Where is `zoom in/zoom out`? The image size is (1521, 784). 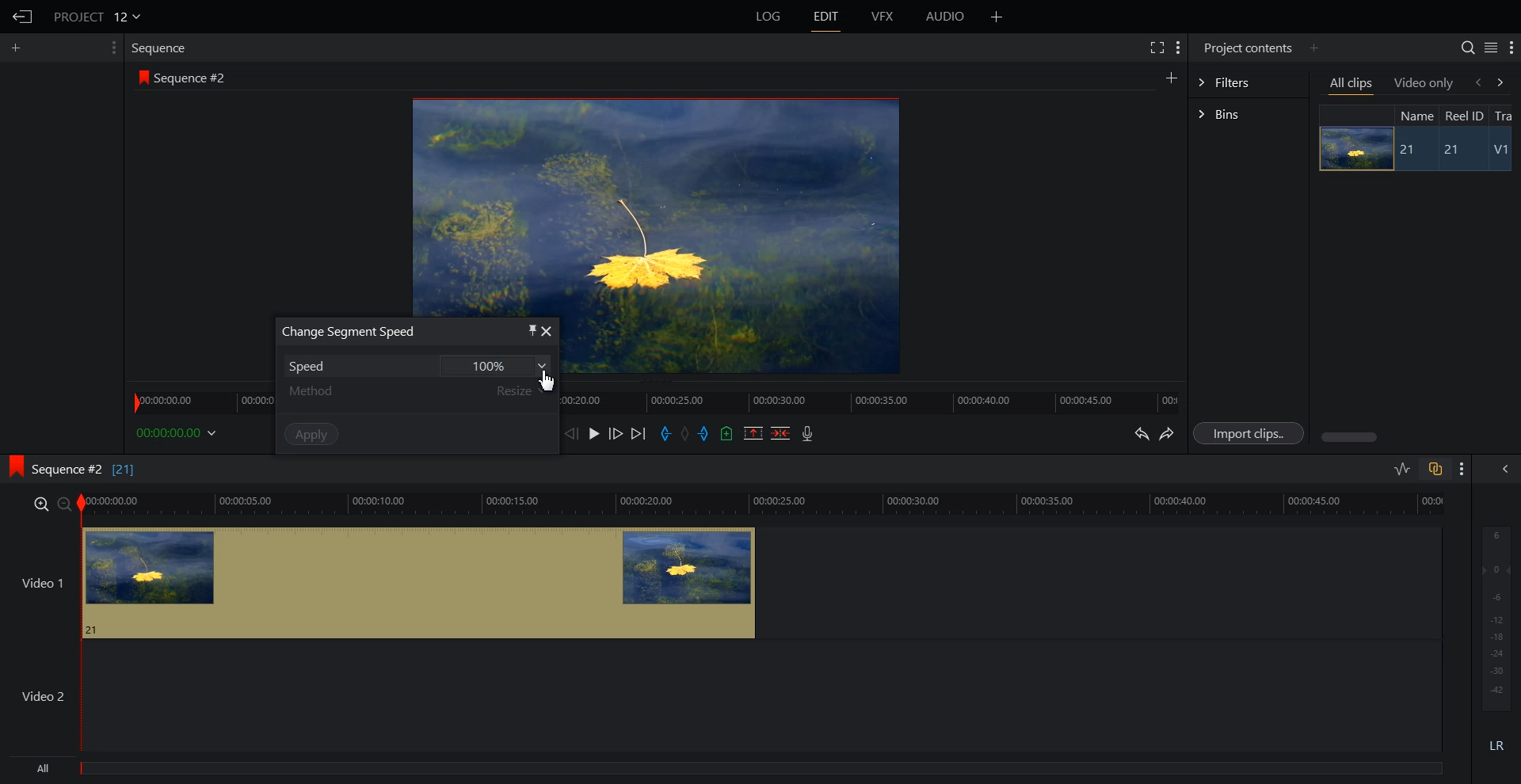 zoom in/zoom out is located at coordinates (49, 503).